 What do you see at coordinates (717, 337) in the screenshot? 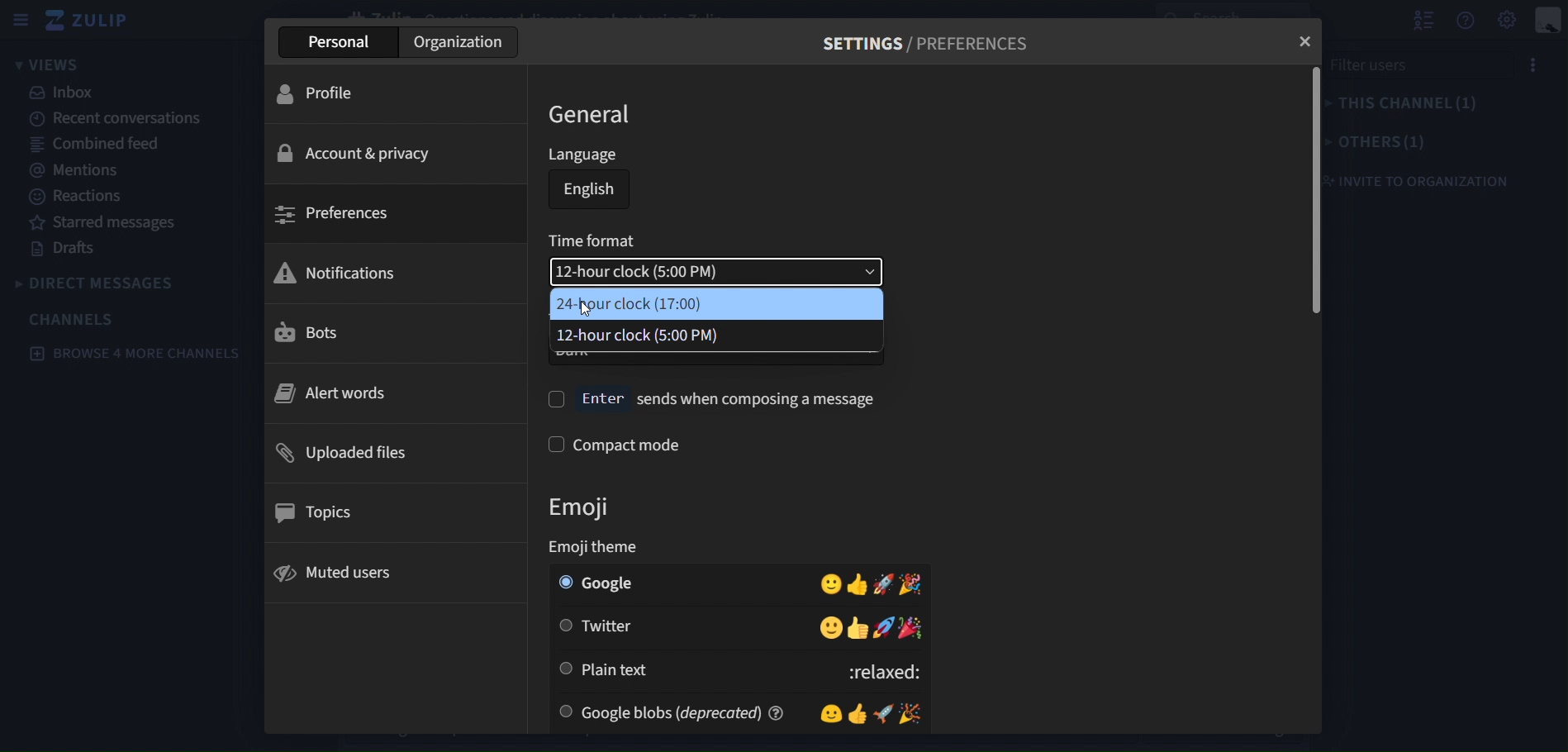
I see `12-hour clock(5:00 PM)` at bounding box center [717, 337].